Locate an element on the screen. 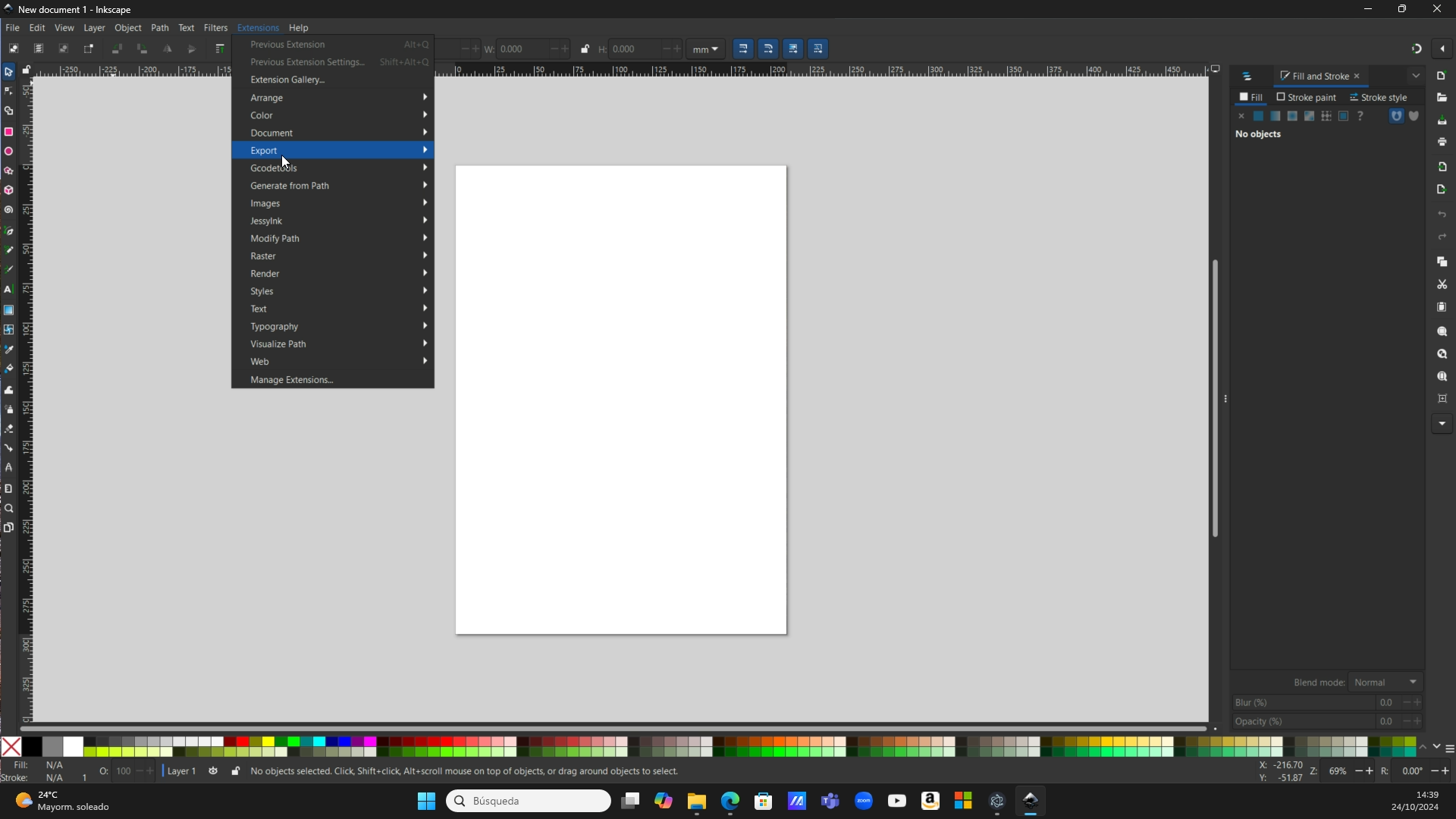 This screenshot has height=819, width=1456. Previous Extension is located at coordinates (336, 44).